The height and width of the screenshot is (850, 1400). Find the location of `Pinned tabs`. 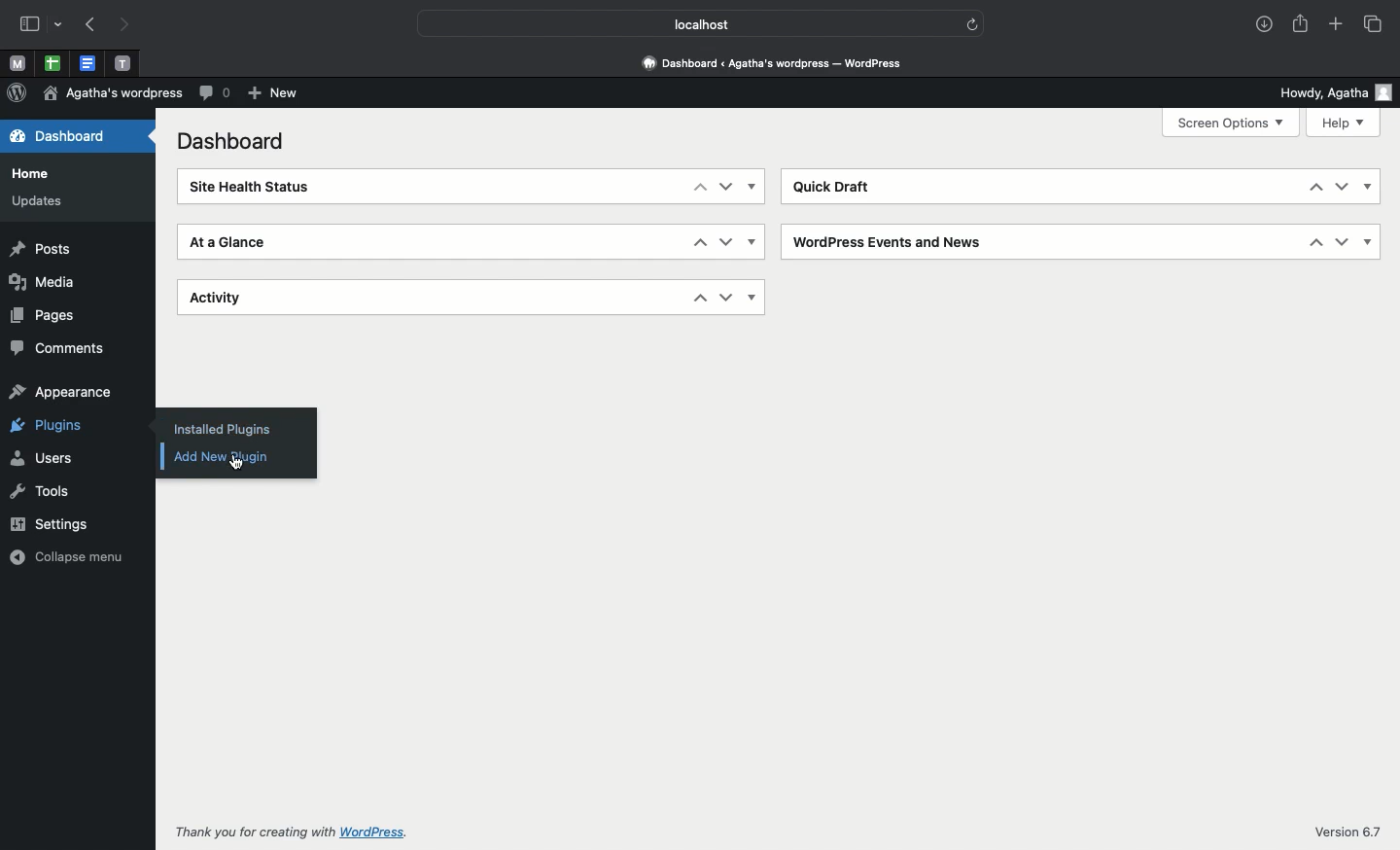

Pinned tabs is located at coordinates (18, 65).